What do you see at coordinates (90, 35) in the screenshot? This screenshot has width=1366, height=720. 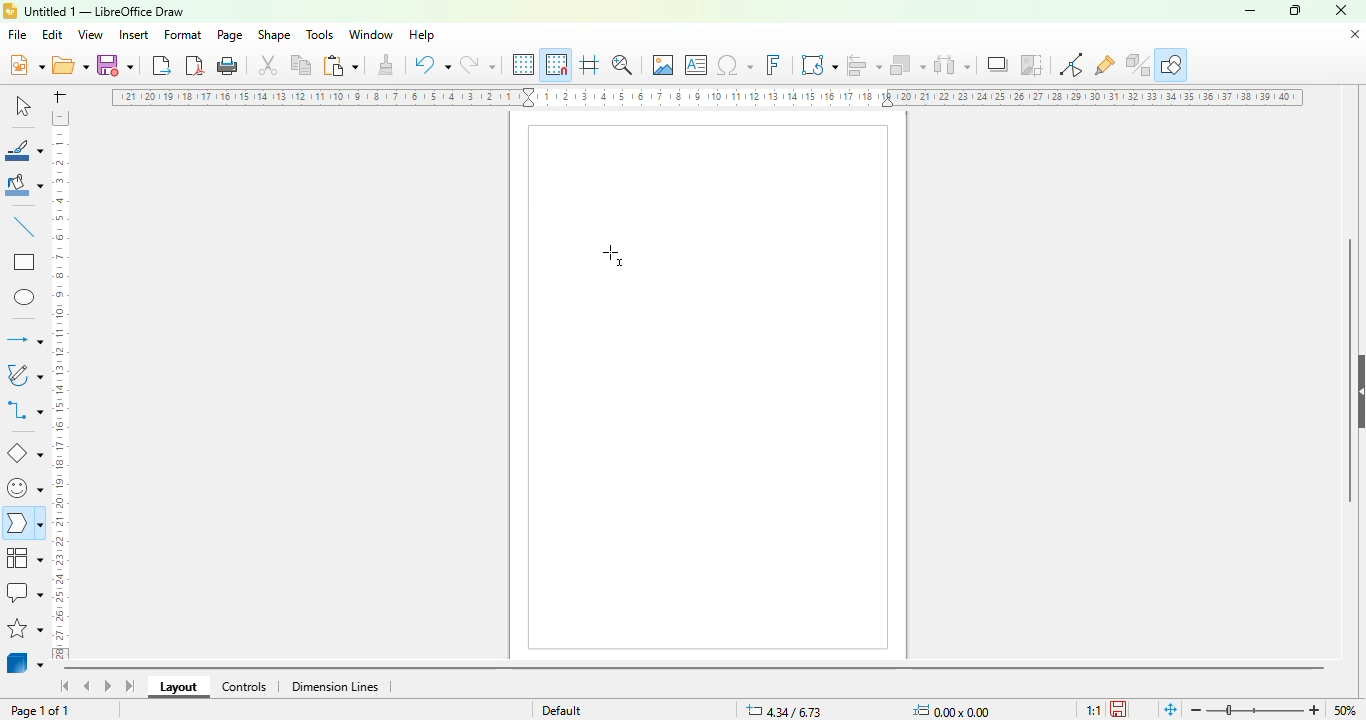 I see `view` at bounding box center [90, 35].